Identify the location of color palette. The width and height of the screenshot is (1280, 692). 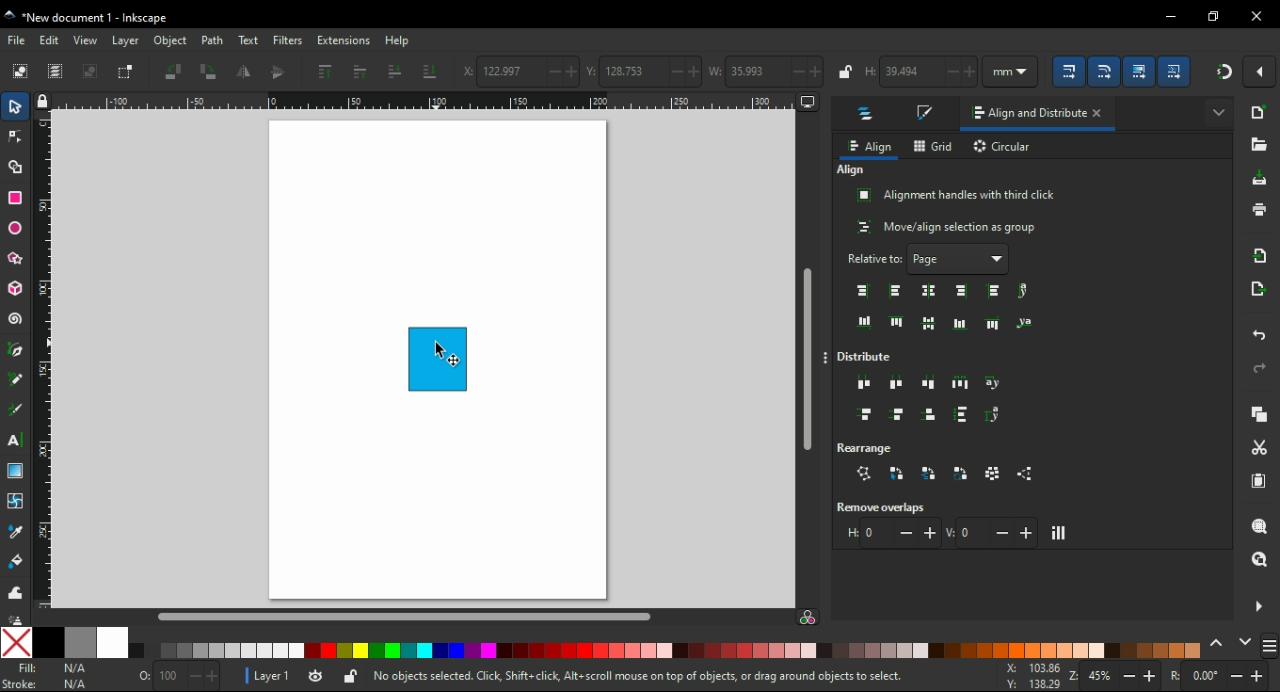
(670, 650).